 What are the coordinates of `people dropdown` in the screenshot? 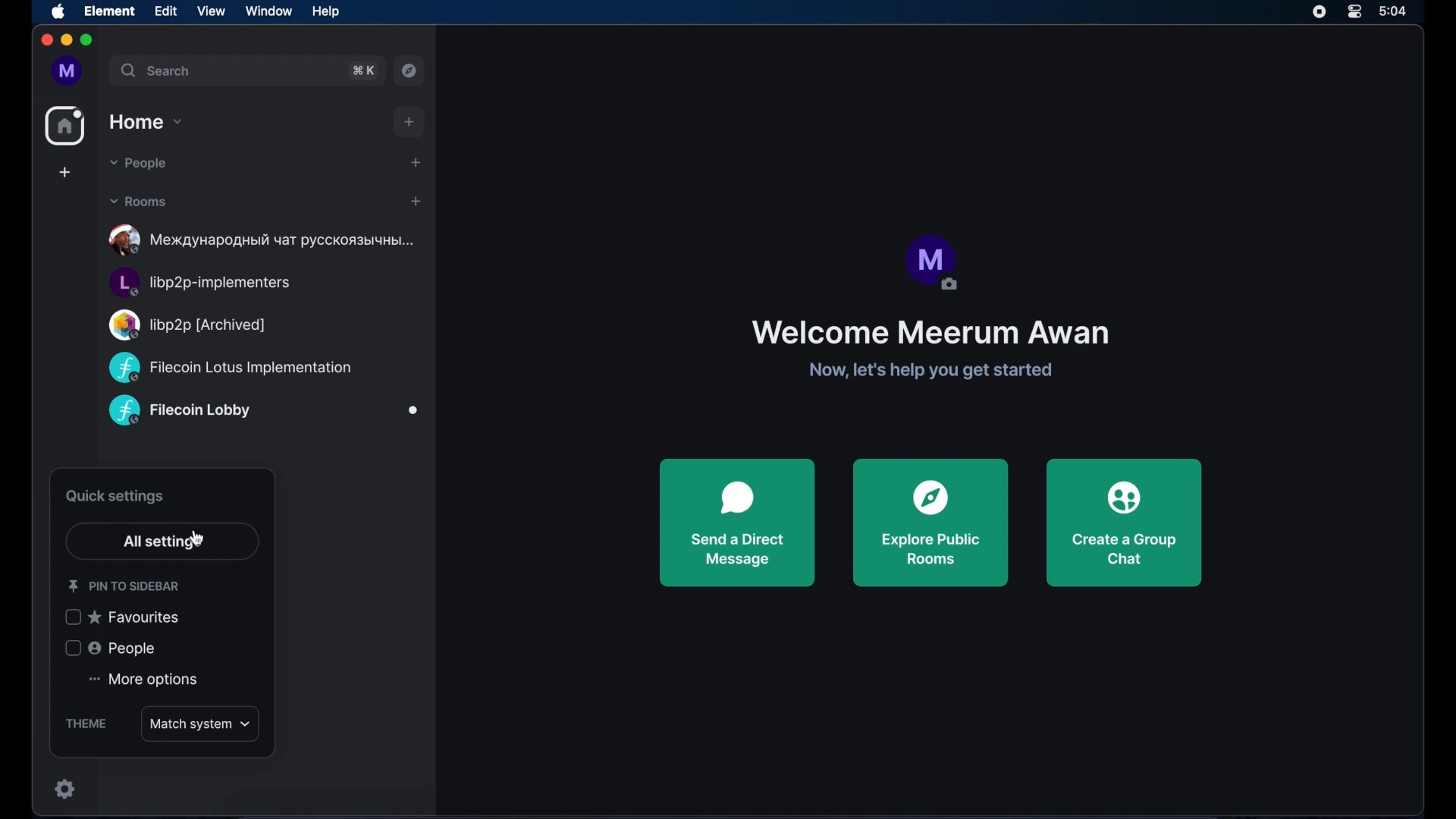 It's located at (137, 164).